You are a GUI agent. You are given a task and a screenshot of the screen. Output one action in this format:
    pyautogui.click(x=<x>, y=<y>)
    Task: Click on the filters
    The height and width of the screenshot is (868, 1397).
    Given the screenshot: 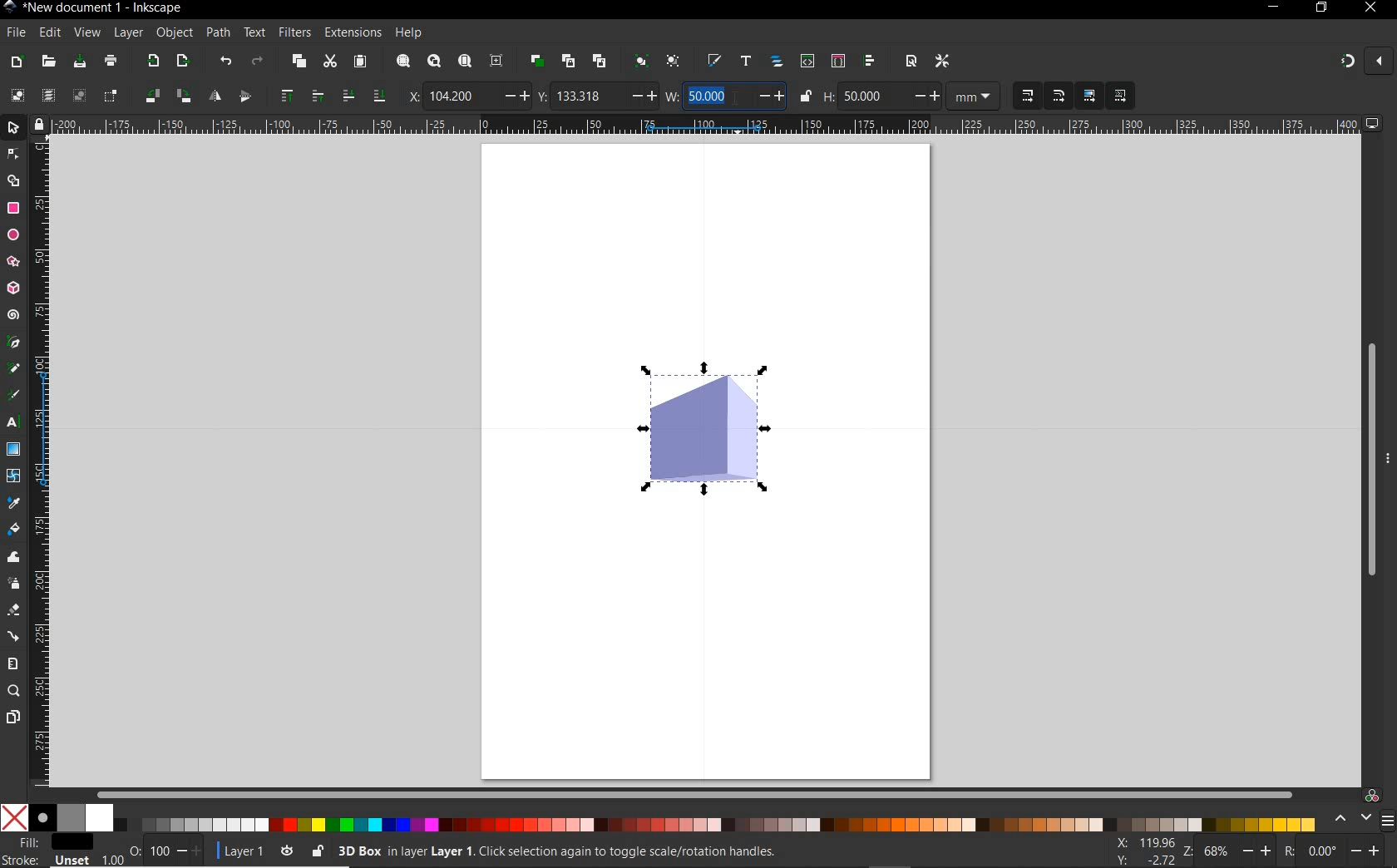 What is the action you would take?
    pyautogui.click(x=296, y=32)
    